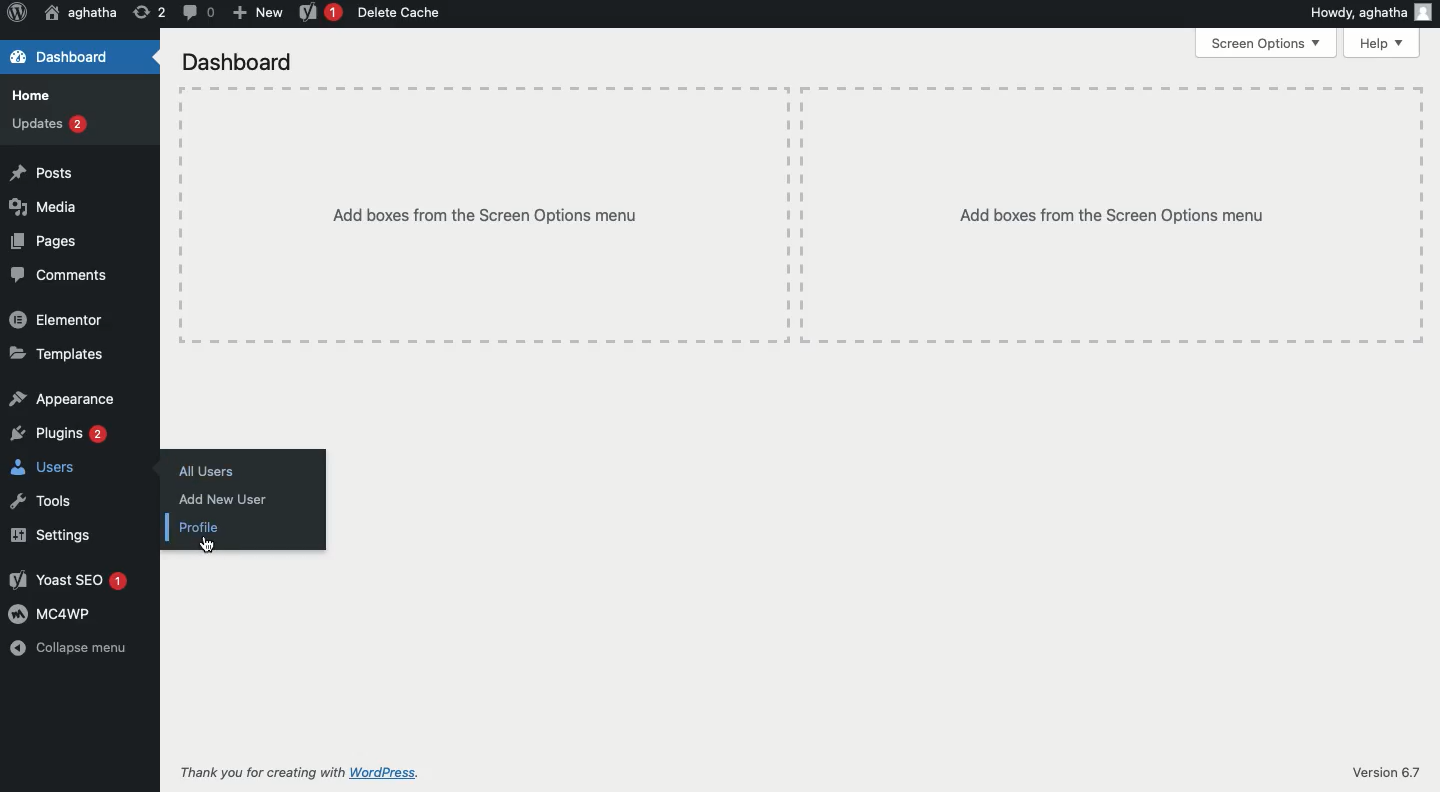 The image size is (1440, 792). Describe the element at coordinates (41, 242) in the screenshot. I see `Pages` at that location.